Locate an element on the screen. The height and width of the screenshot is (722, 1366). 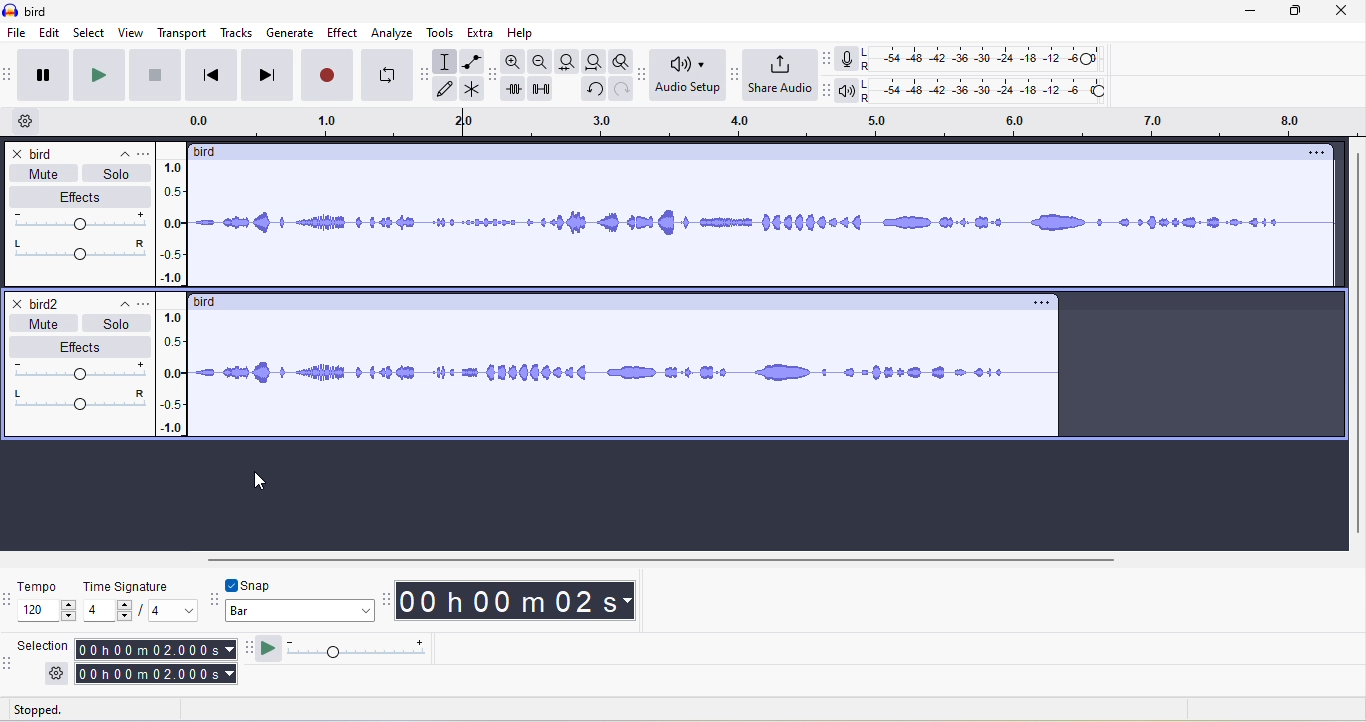
00 h 00 m 02.000 s is located at coordinates (155, 674).